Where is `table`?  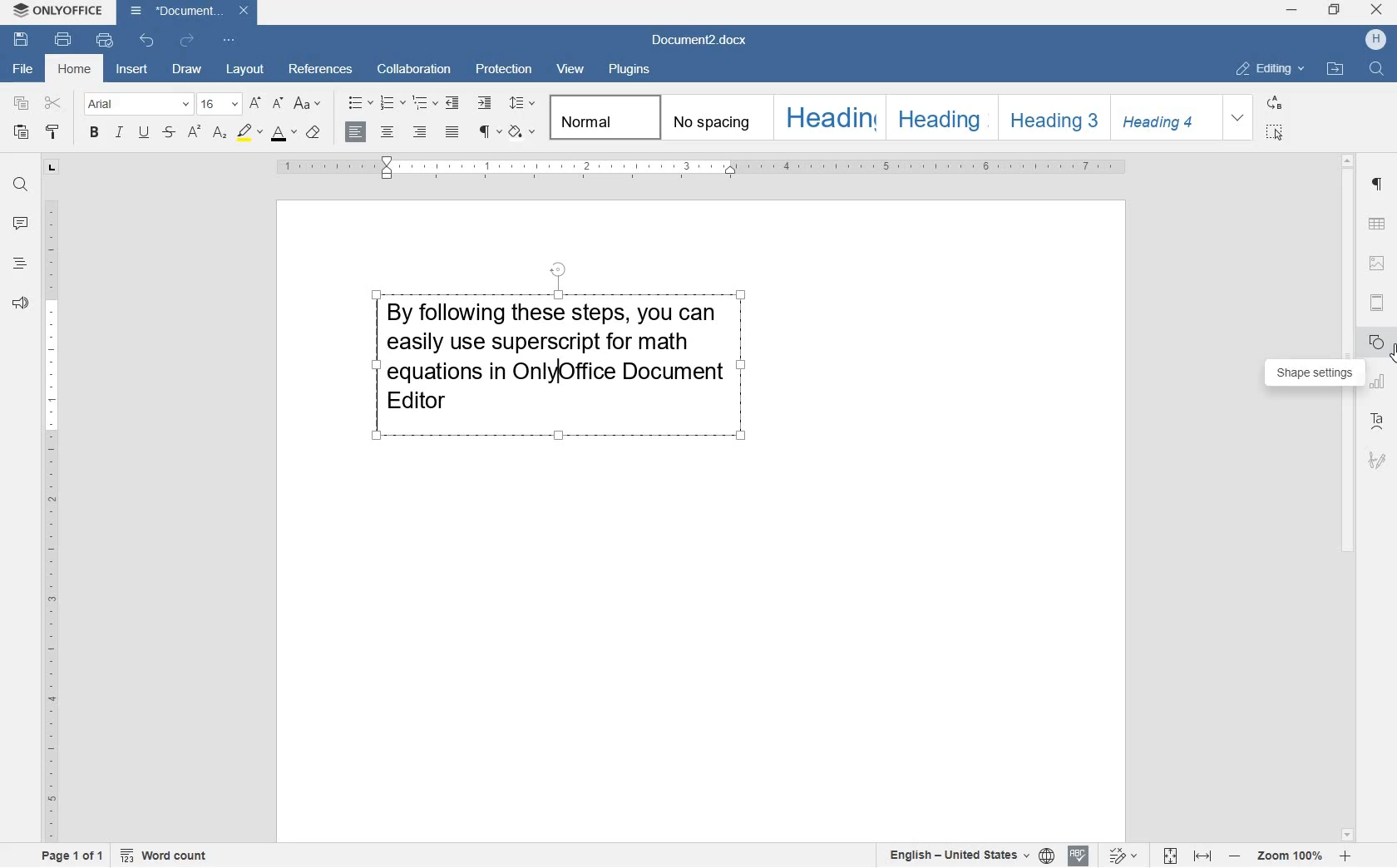 table is located at coordinates (1378, 225).